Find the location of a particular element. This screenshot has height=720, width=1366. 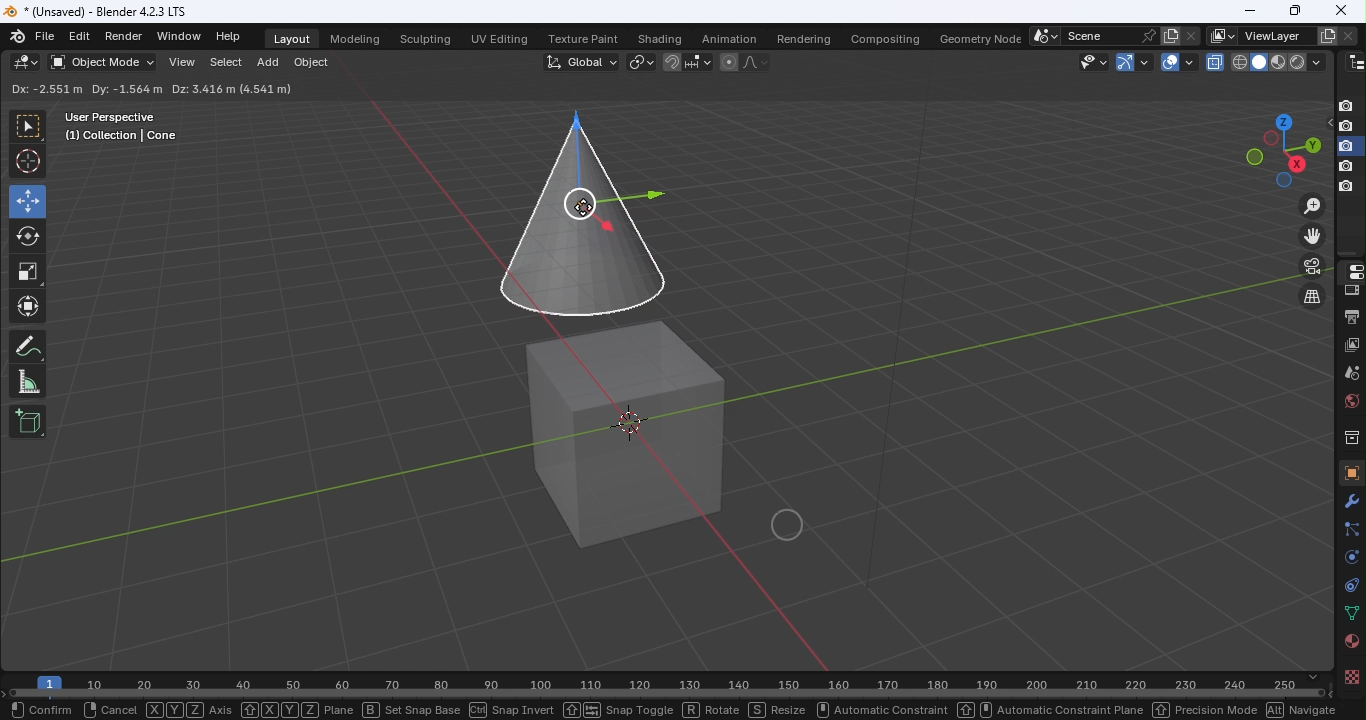

Gizmo is located at coordinates (1122, 61).